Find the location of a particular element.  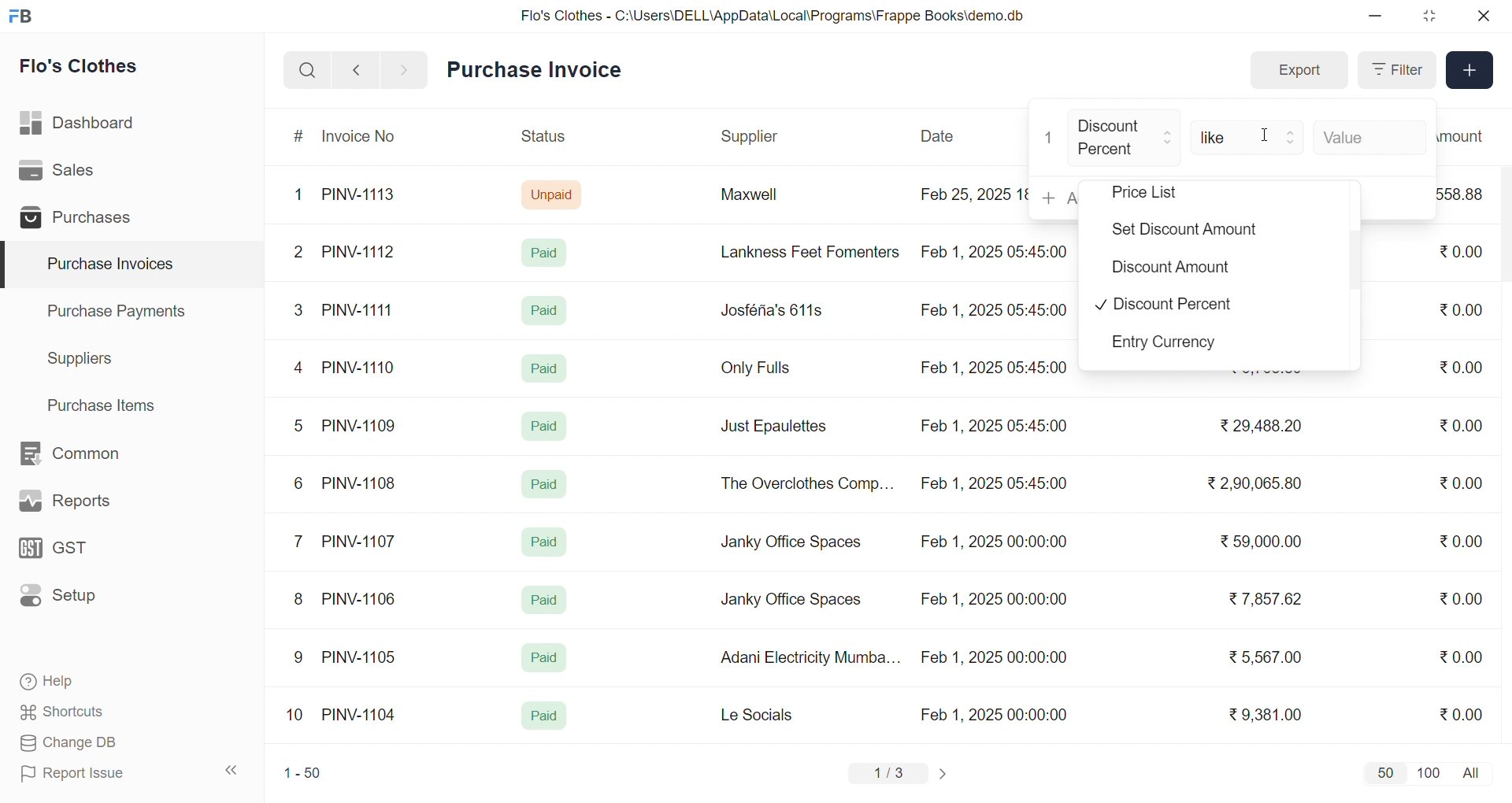

Janky Office Spaces is located at coordinates (792, 543).